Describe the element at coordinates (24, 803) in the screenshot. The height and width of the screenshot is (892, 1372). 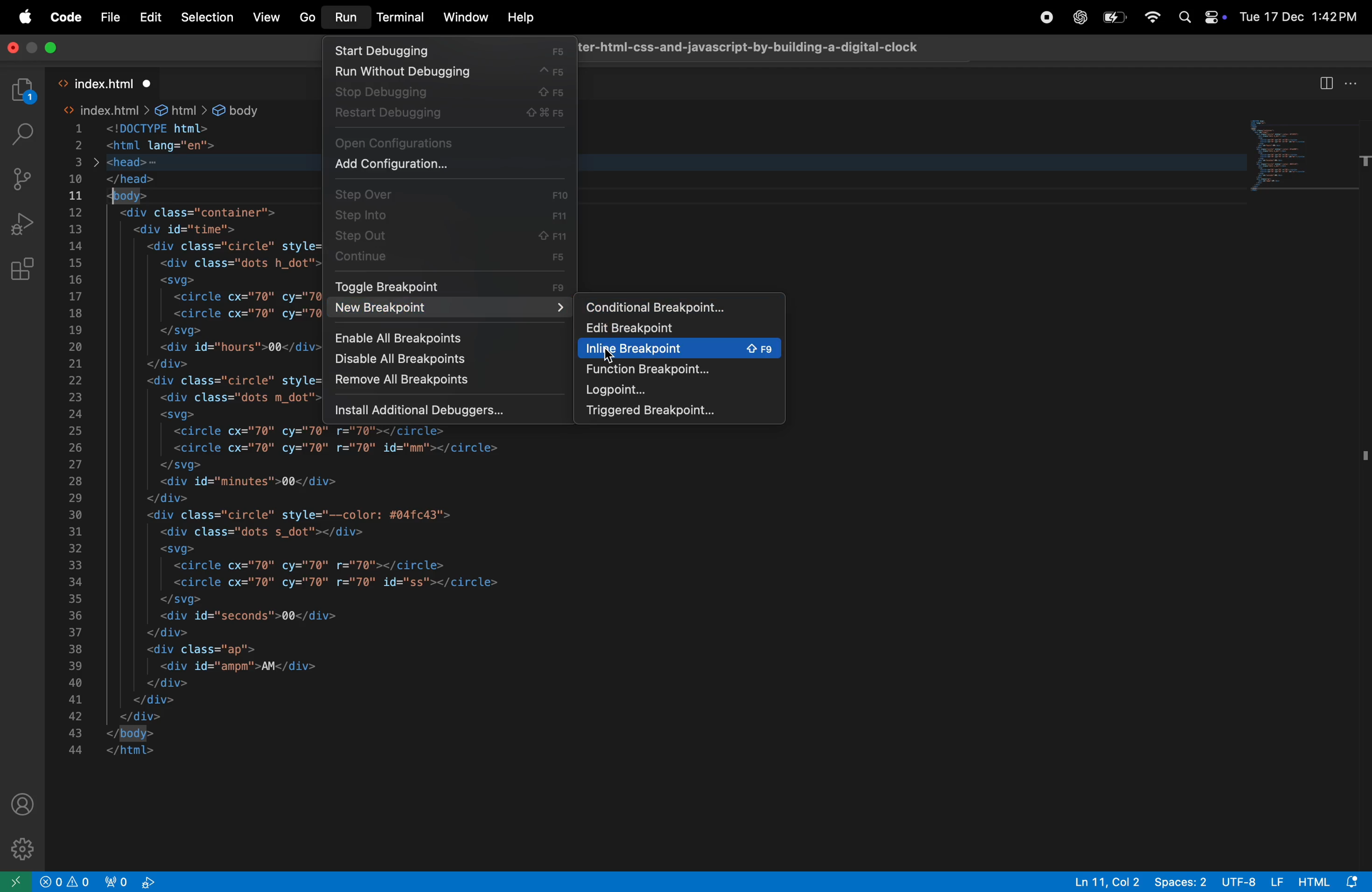
I see `profile` at that location.